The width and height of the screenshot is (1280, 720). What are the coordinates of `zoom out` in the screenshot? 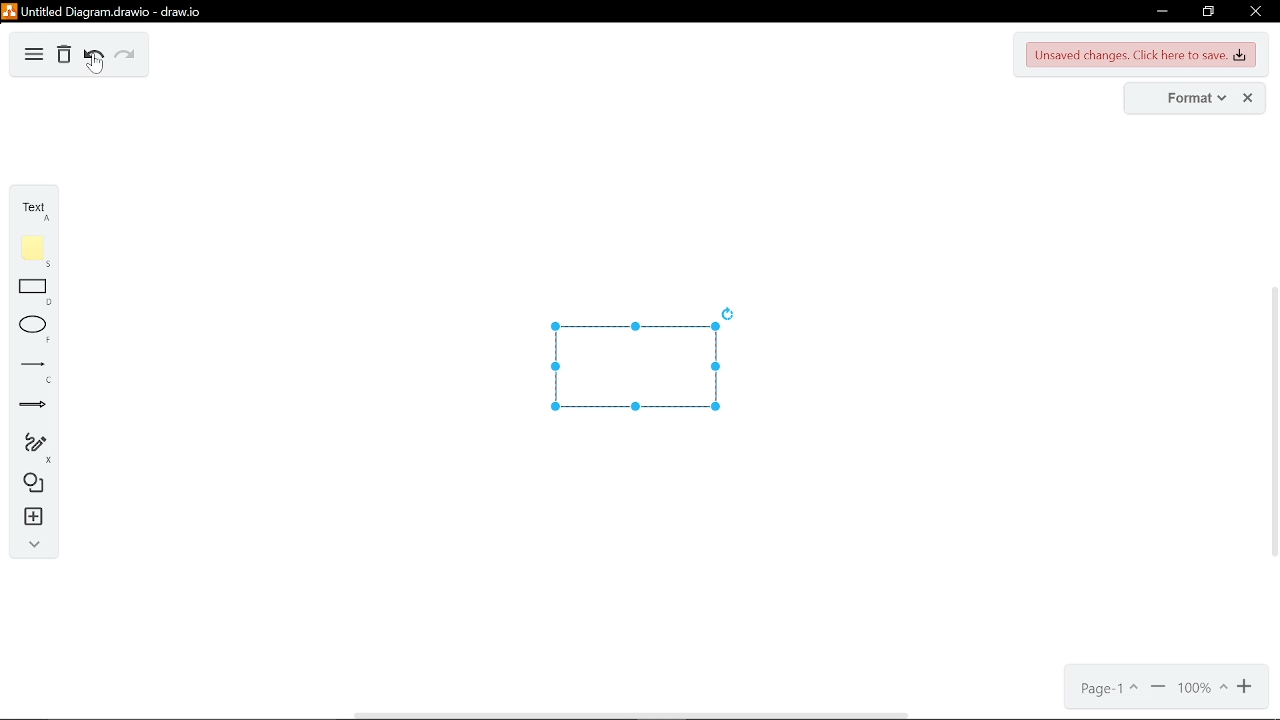 It's located at (1159, 690).